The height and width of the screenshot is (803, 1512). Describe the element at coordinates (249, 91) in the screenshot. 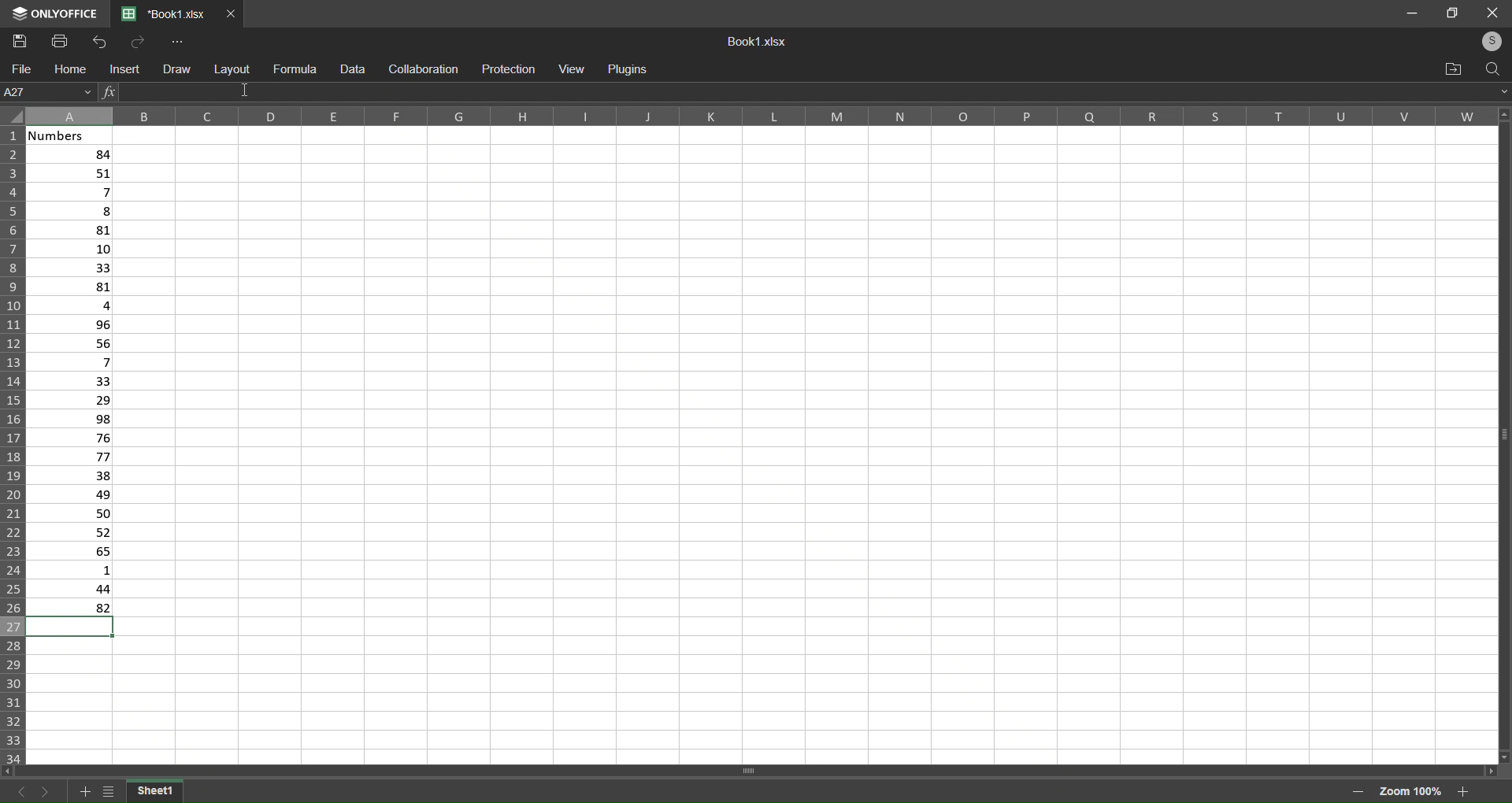

I see `cursor` at that location.